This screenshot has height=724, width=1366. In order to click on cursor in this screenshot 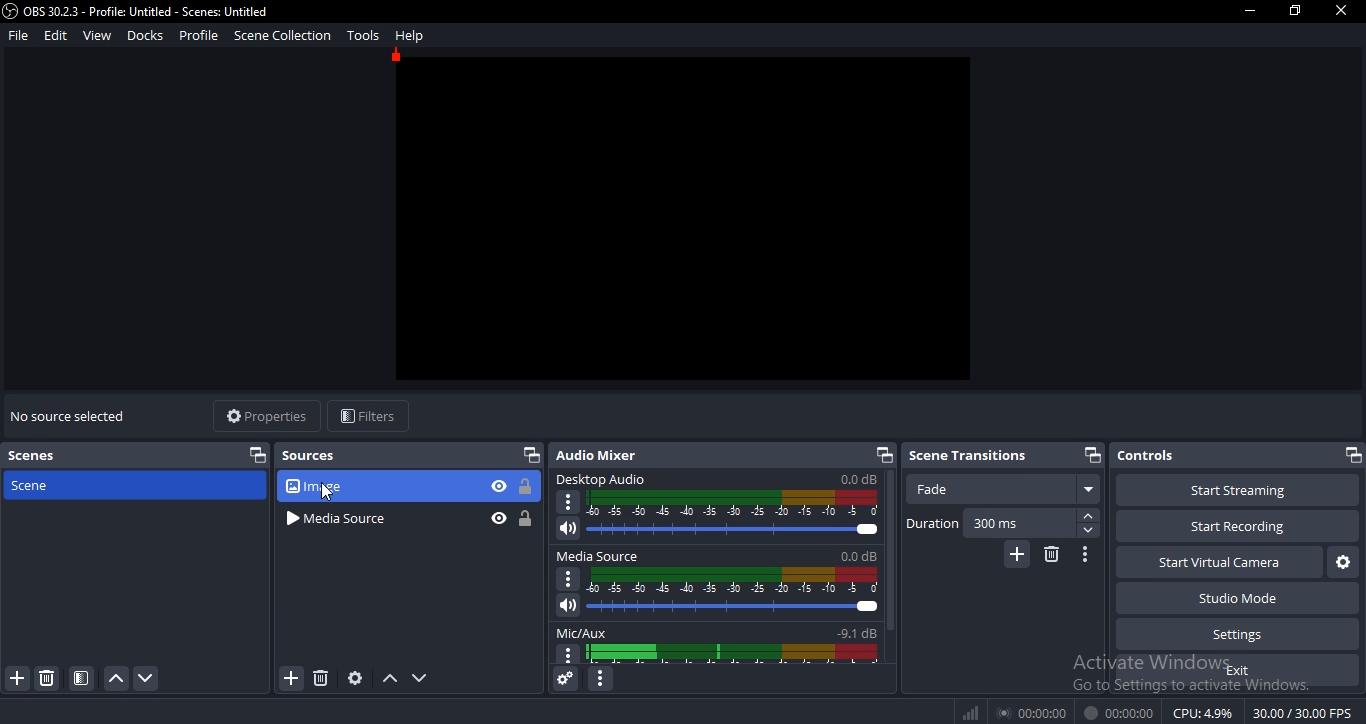, I will do `click(327, 490)`.